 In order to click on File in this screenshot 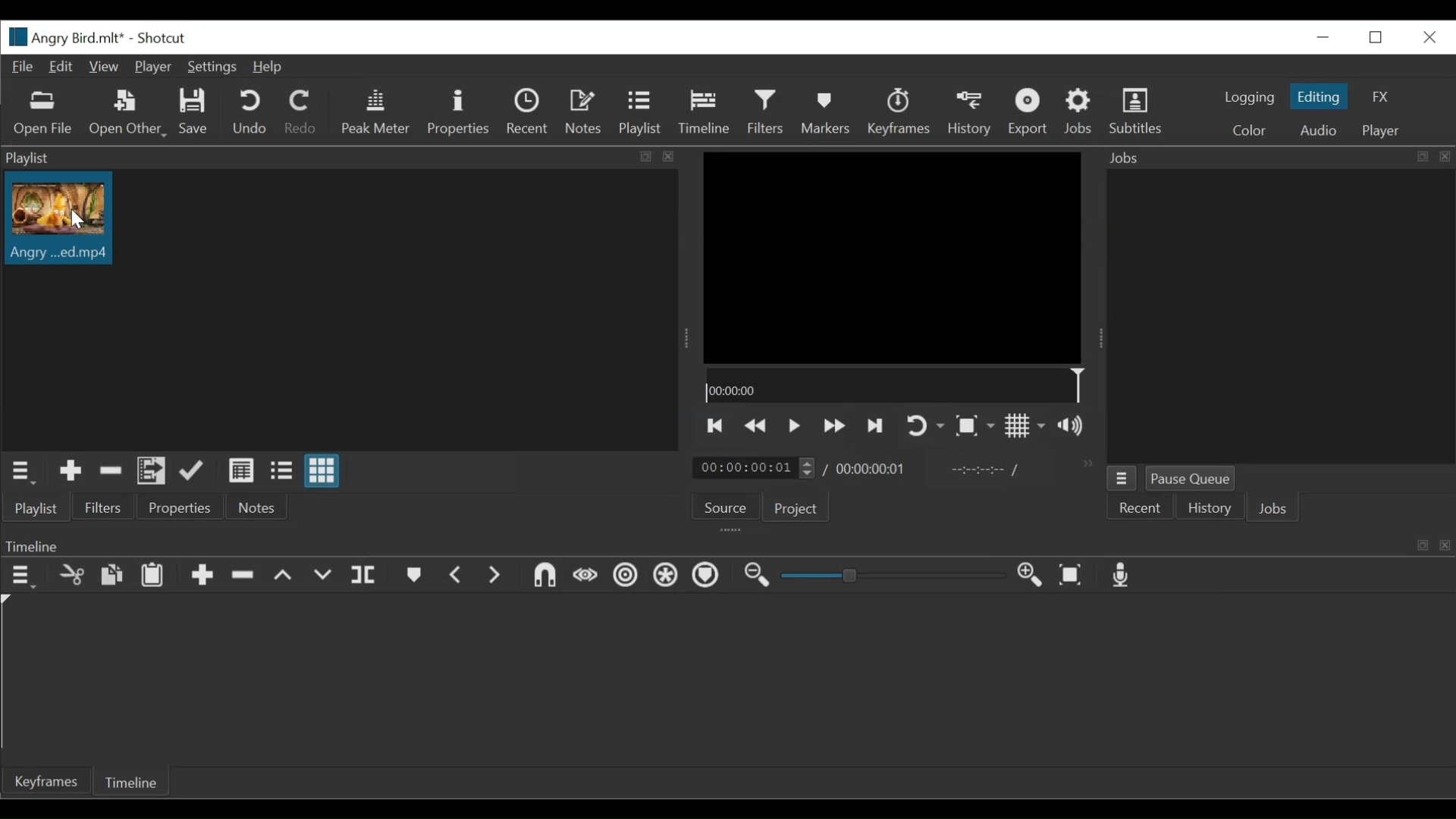, I will do `click(22, 69)`.